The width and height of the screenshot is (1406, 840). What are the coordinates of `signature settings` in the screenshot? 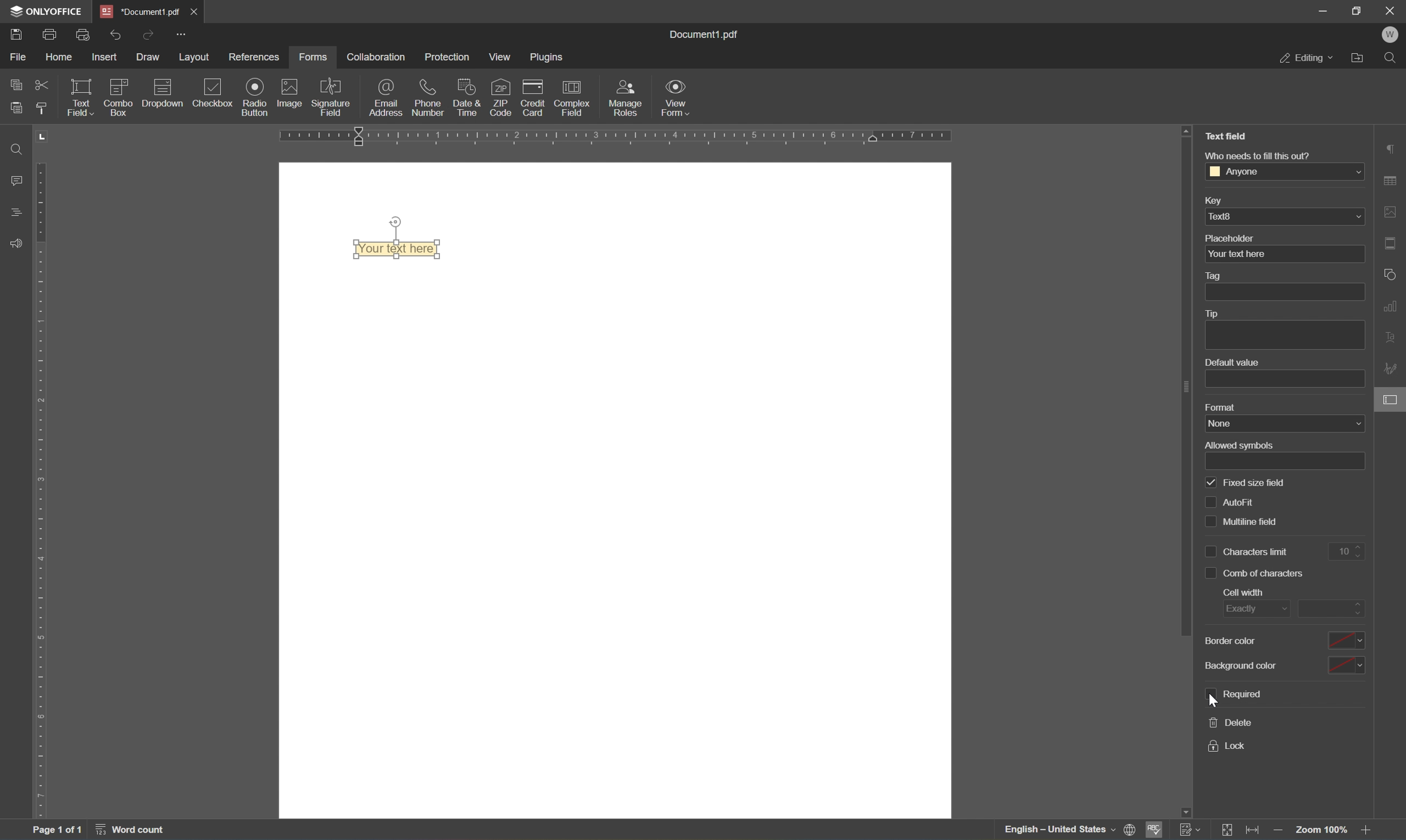 It's located at (1392, 368).